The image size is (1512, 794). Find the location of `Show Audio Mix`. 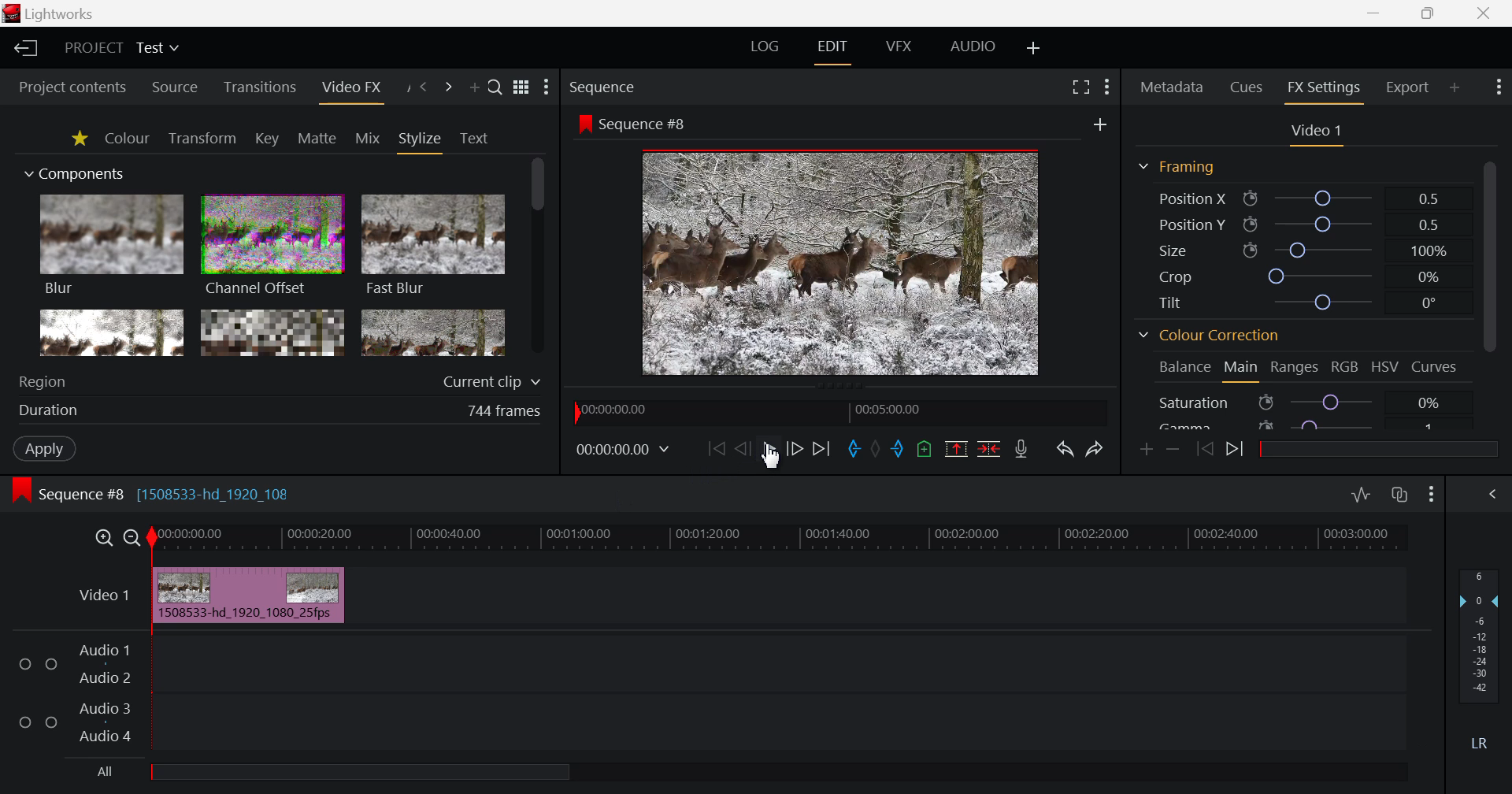

Show Audio Mix is located at coordinates (1494, 495).